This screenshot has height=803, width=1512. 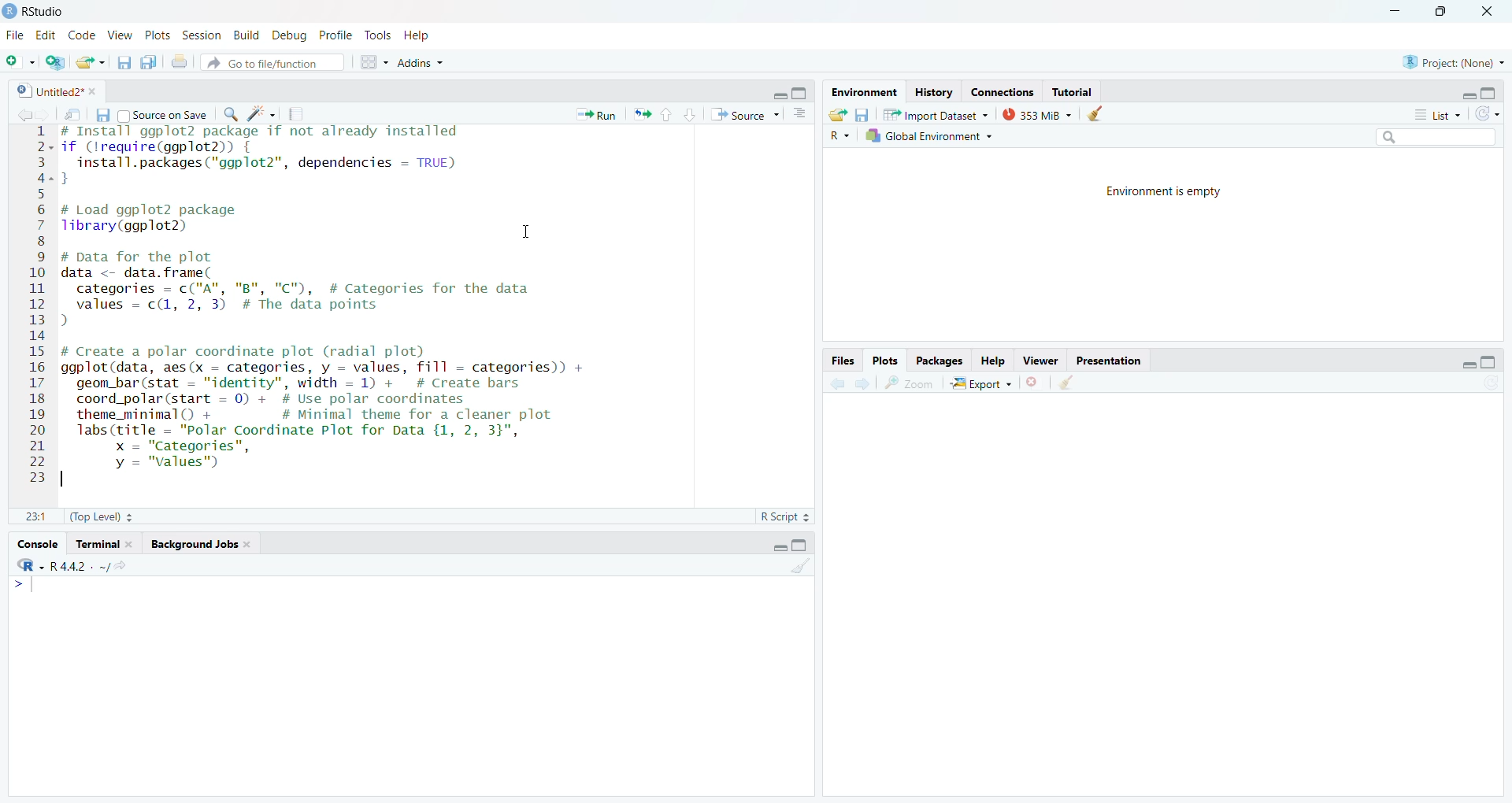 I want to click on Files, so click(x=840, y=361).